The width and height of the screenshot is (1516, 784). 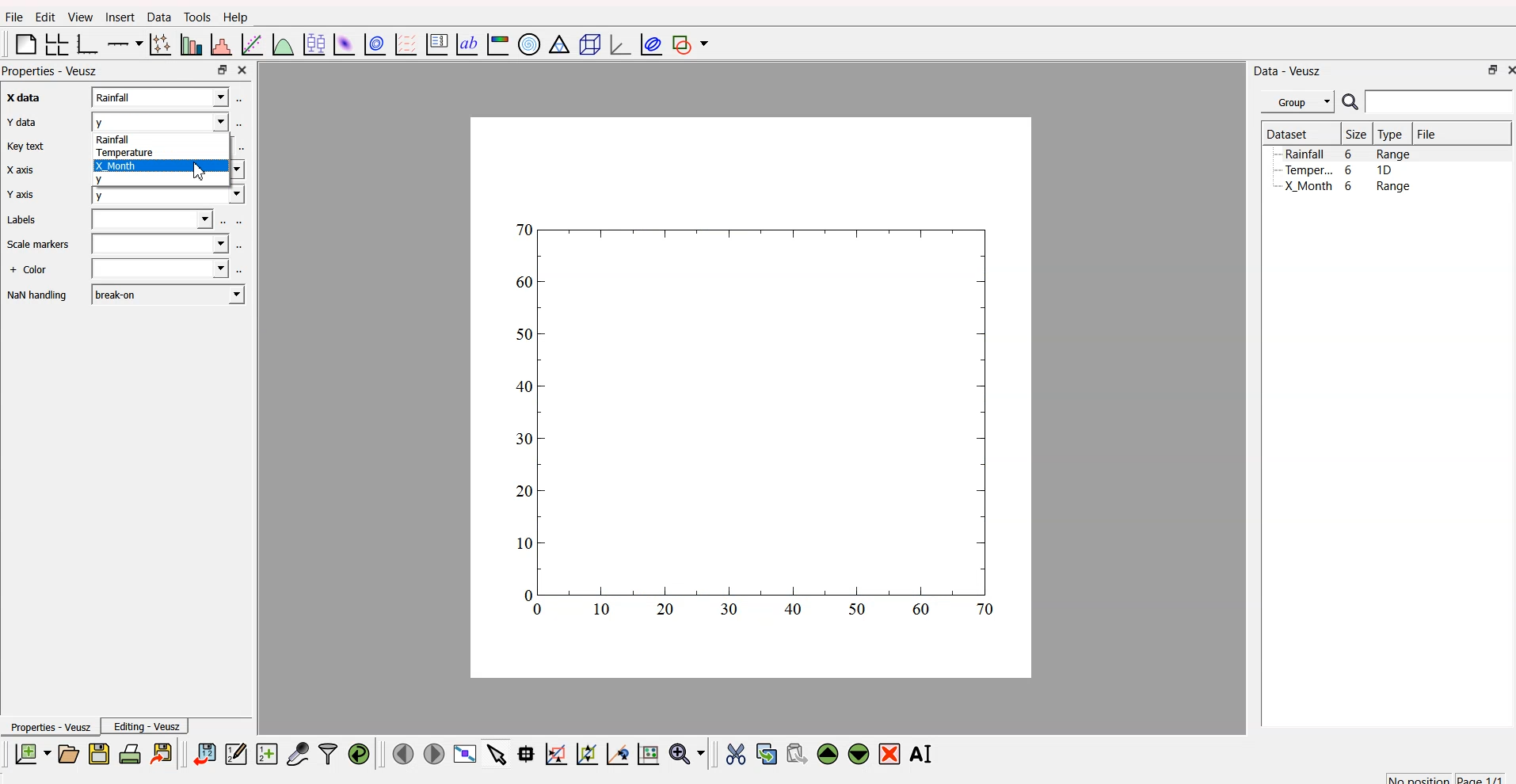 What do you see at coordinates (495, 755) in the screenshot?
I see `select items from graph` at bounding box center [495, 755].